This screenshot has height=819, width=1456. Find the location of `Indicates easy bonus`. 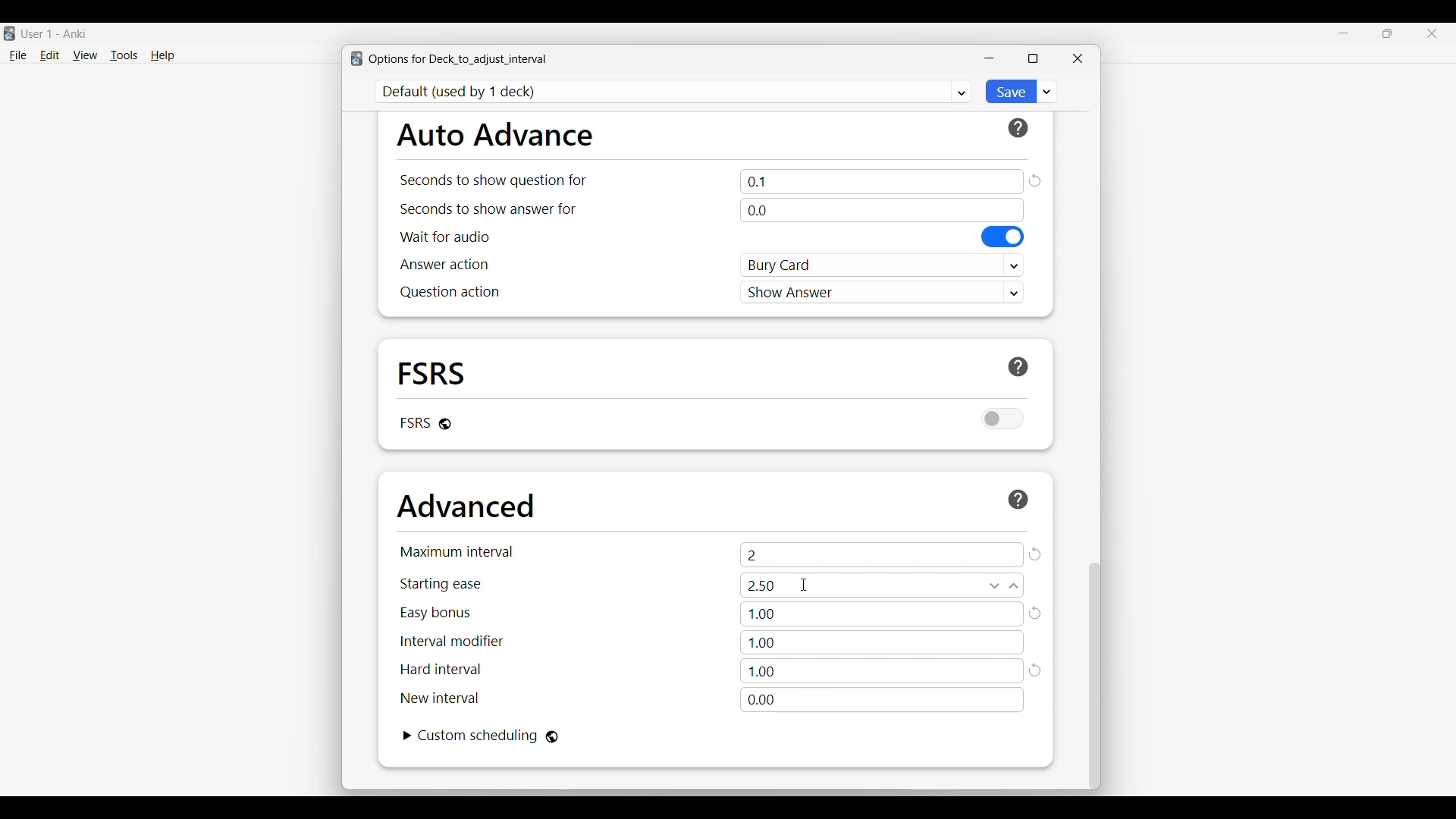

Indicates easy bonus is located at coordinates (436, 613).